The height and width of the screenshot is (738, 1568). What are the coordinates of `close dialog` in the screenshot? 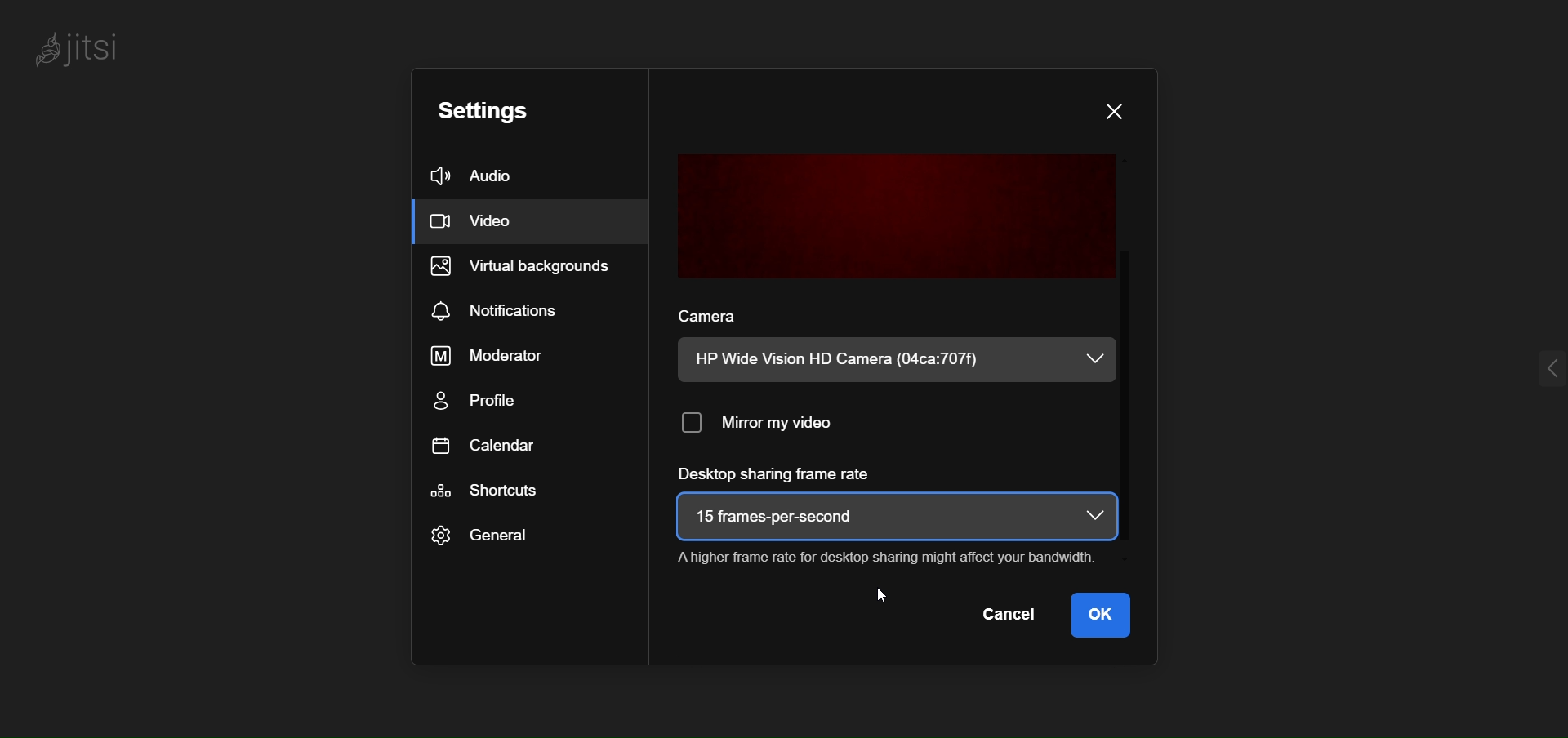 It's located at (1118, 111).